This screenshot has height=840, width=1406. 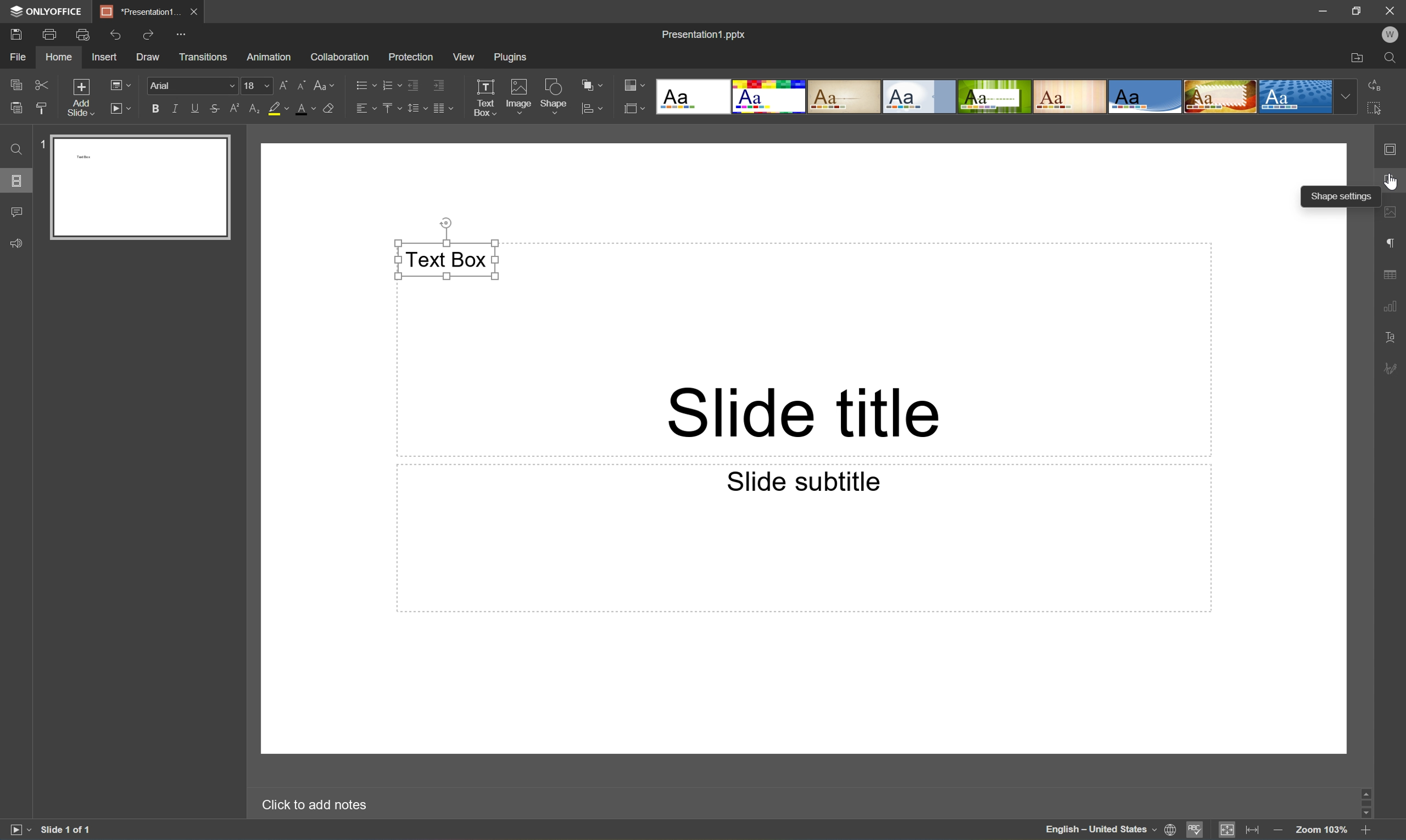 What do you see at coordinates (439, 85) in the screenshot?
I see `Increase indent` at bounding box center [439, 85].